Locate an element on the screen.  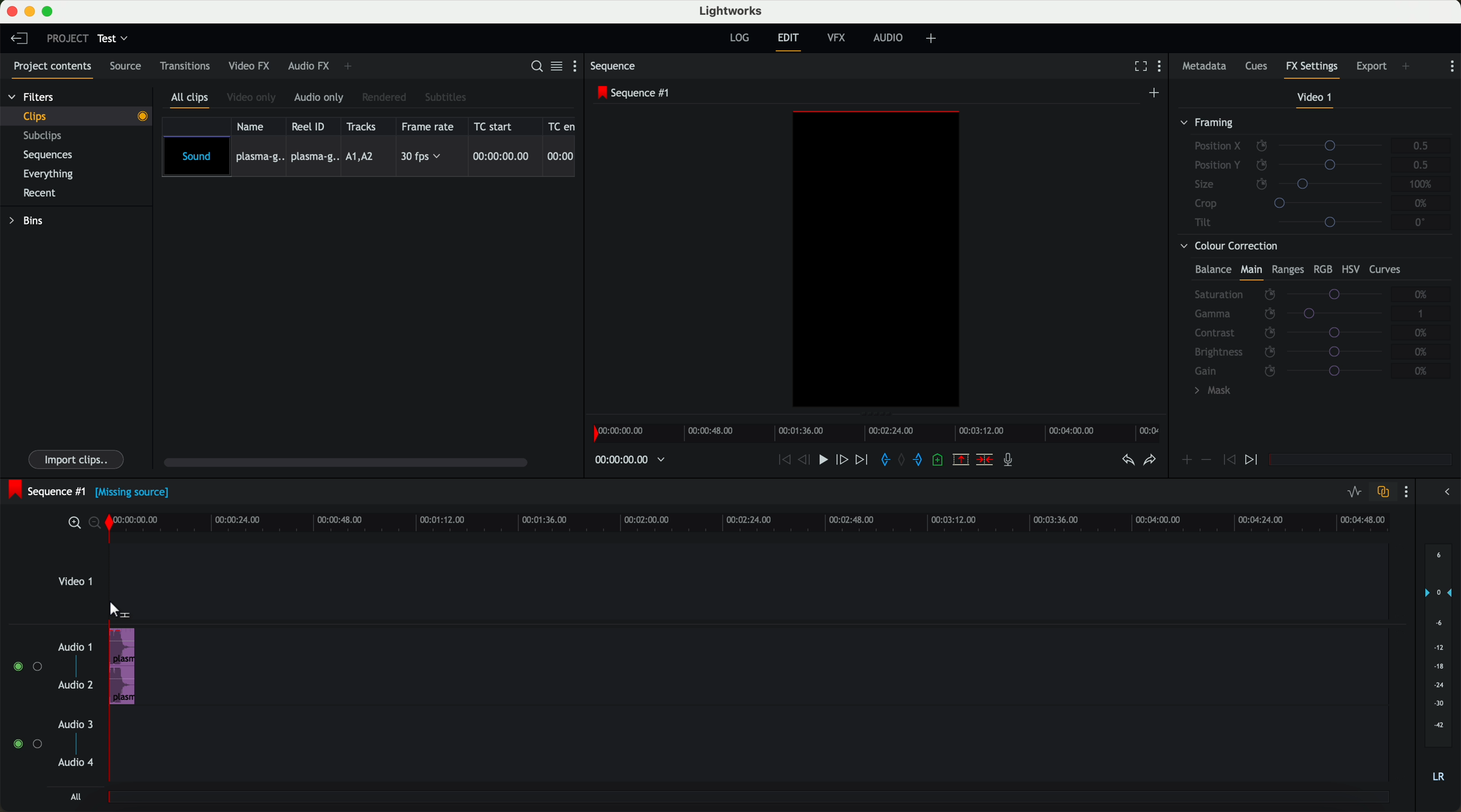
clip is located at coordinates (83, 116).